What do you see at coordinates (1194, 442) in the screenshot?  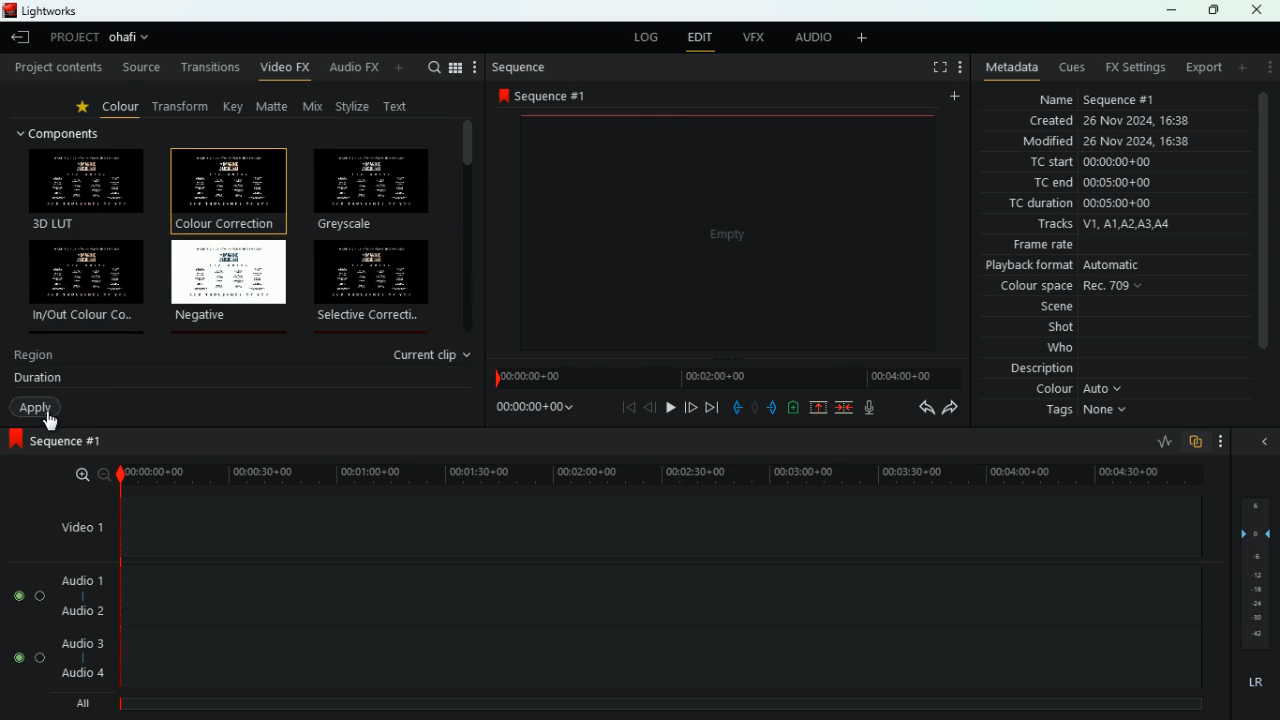 I see `overlap` at bounding box center [1194, 442].